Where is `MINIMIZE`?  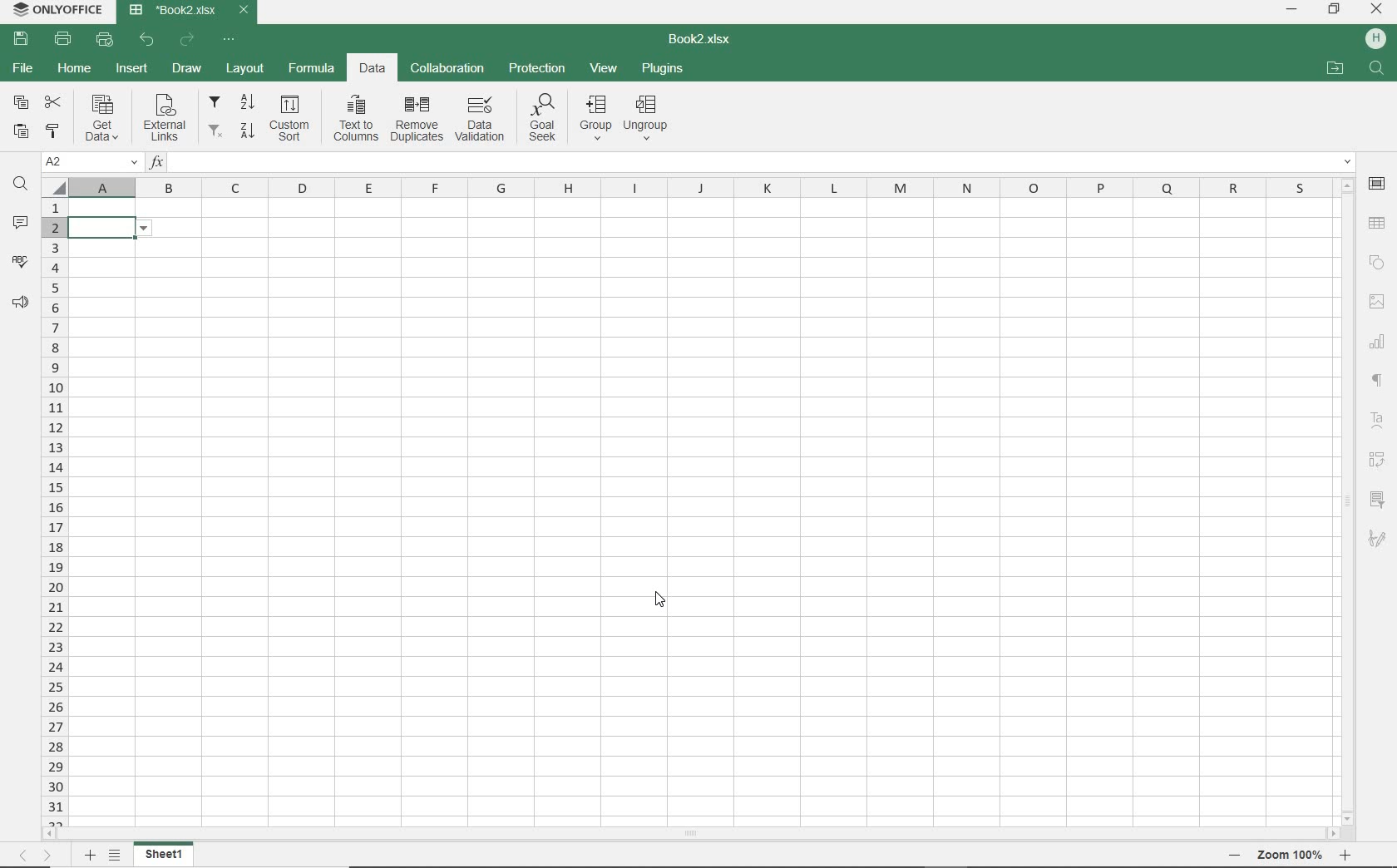
MINIMIZE is located at coordinates (1291, 8).